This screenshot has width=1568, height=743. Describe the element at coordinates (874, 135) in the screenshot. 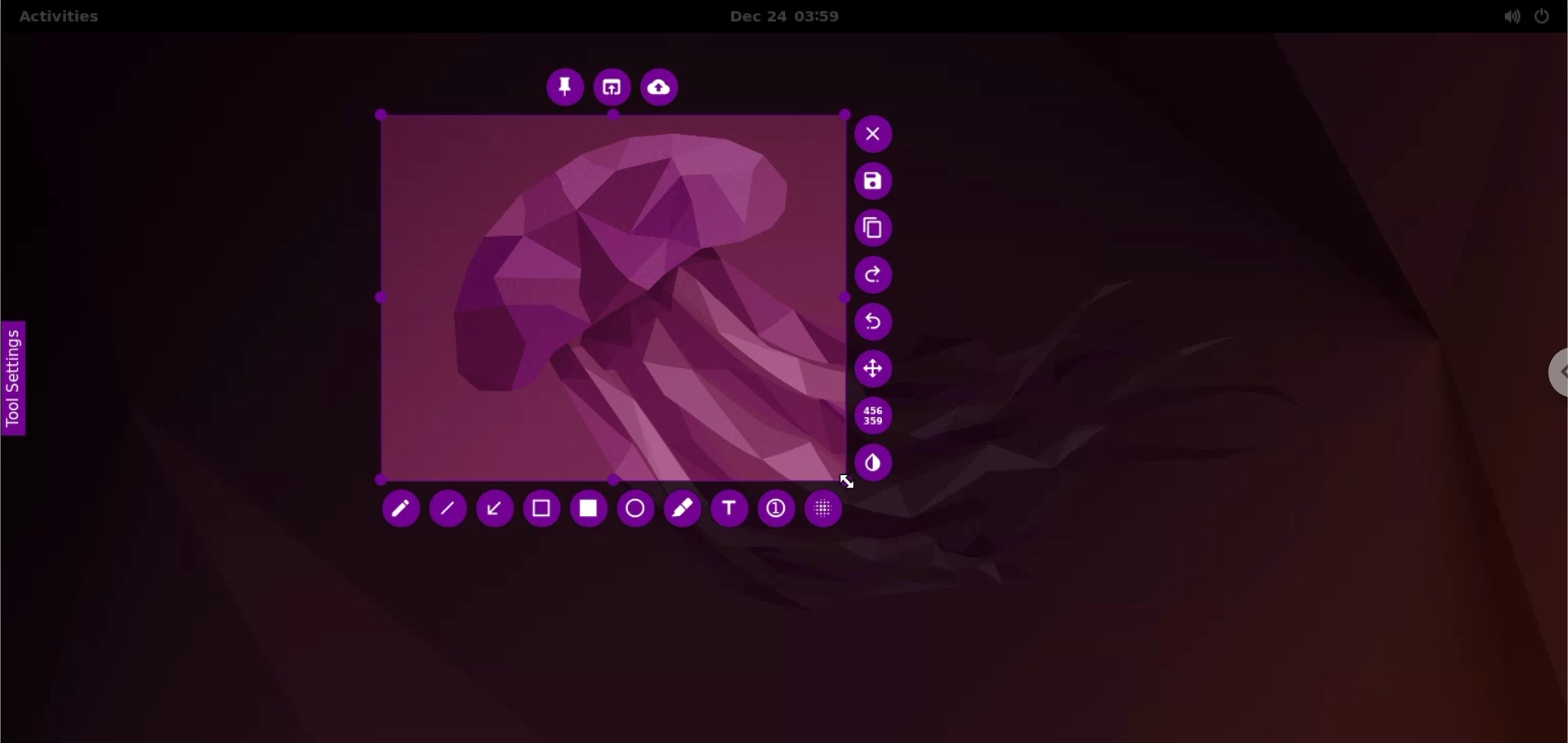

I see `cancel capture` at that location.